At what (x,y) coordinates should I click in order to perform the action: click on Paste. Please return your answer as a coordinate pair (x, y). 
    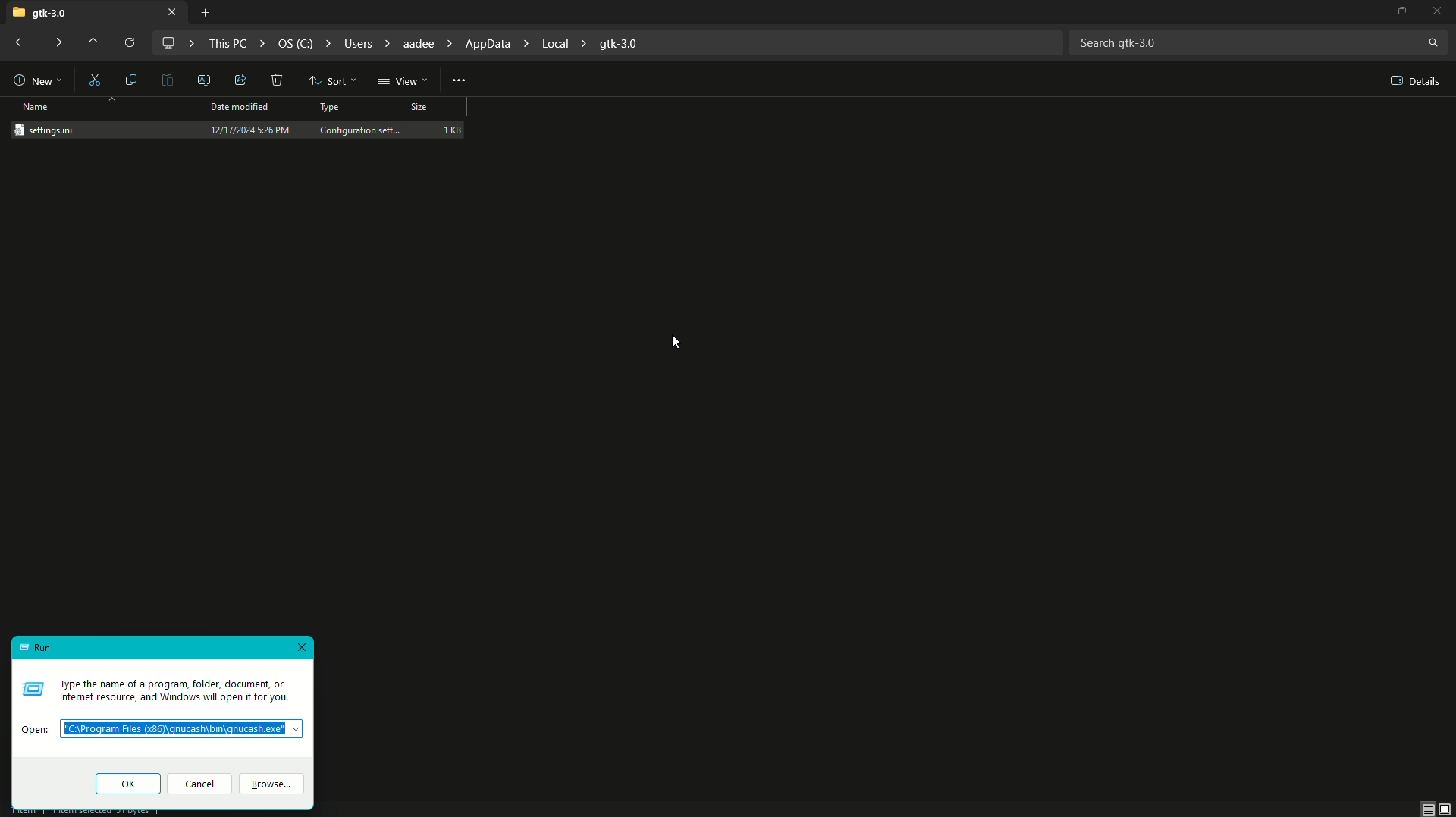
    Looking at the image, I should click on (168, 81).